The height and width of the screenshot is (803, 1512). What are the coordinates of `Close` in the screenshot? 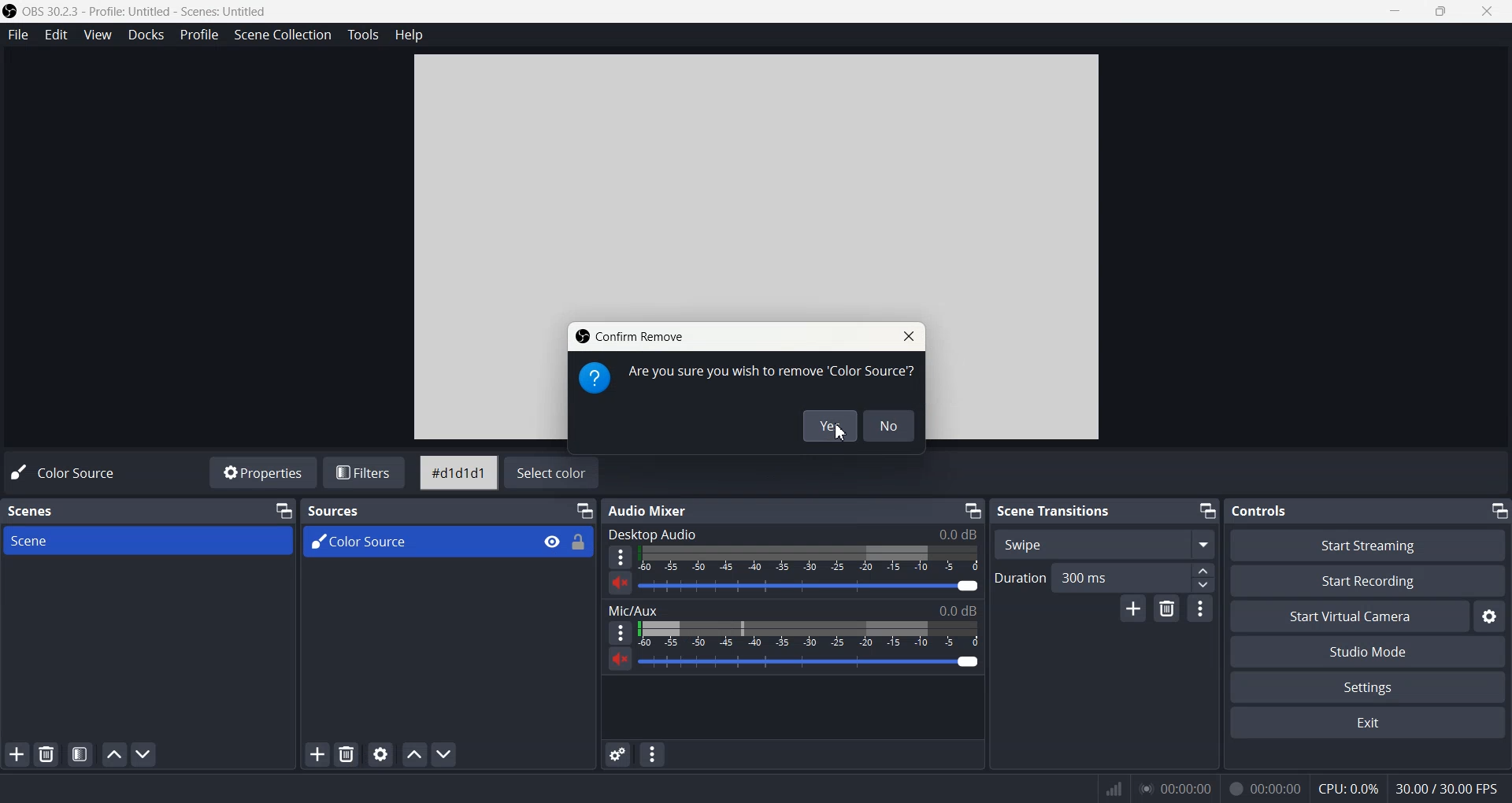 It's located at (1488, 11).